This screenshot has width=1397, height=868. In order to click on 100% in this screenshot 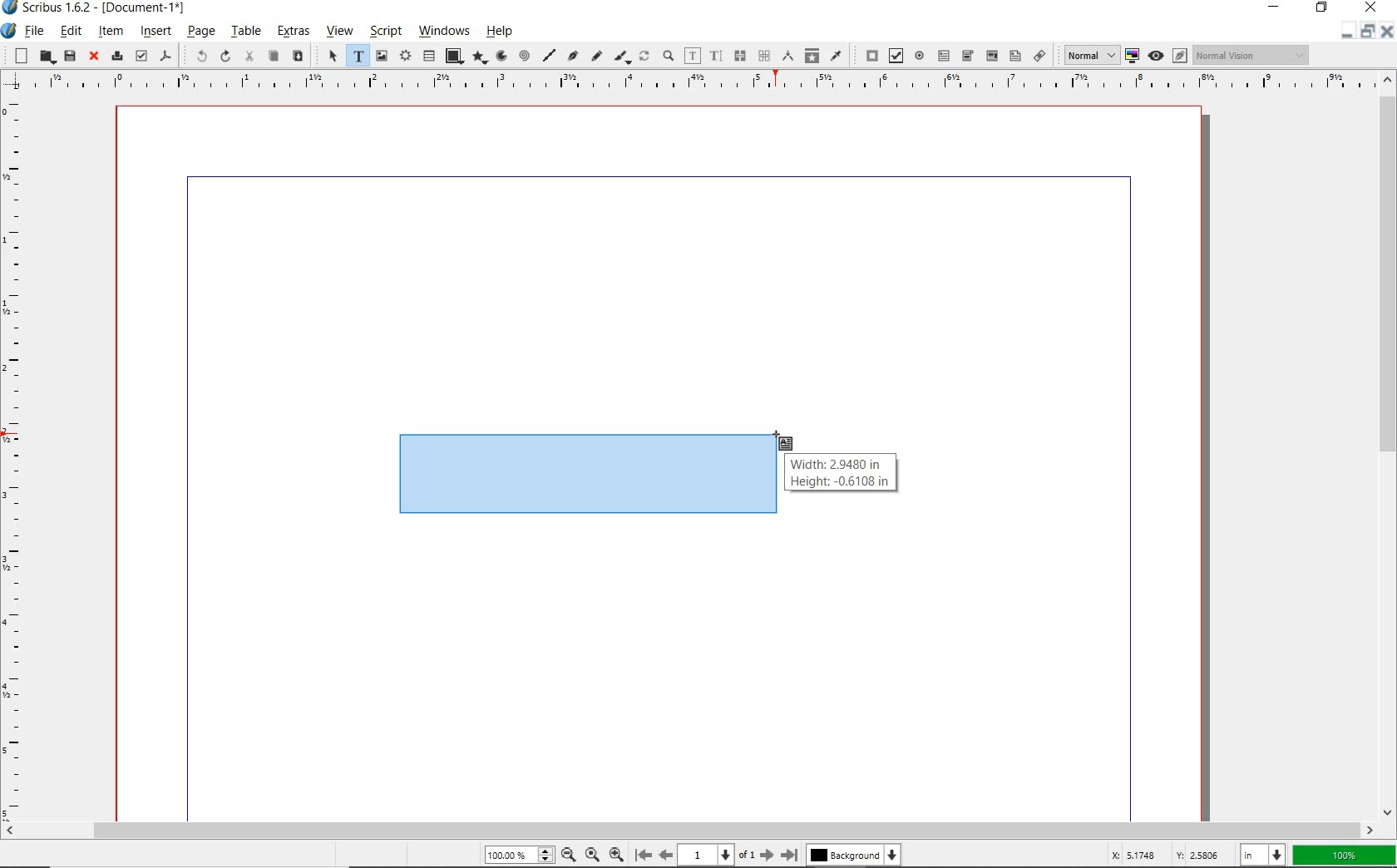, I will do `click(516, 856)`.